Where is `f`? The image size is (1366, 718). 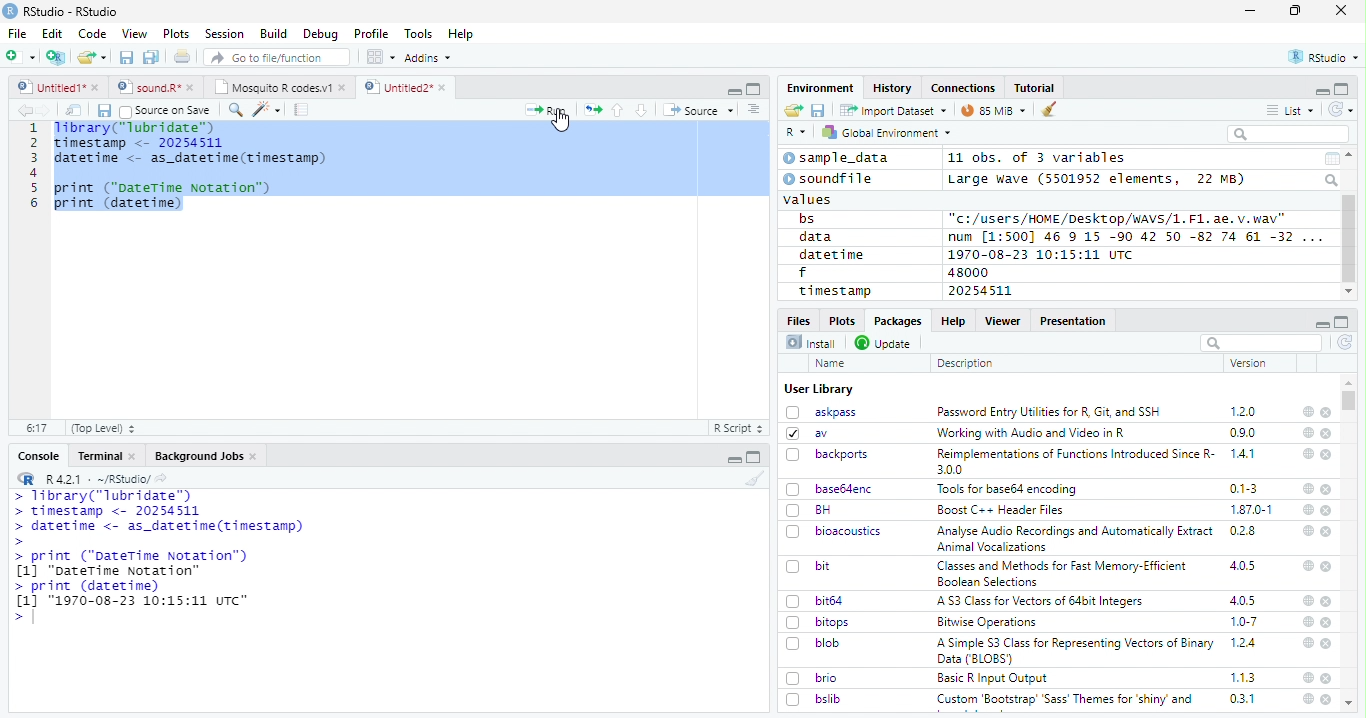
f is located at coordinates (803, 273).